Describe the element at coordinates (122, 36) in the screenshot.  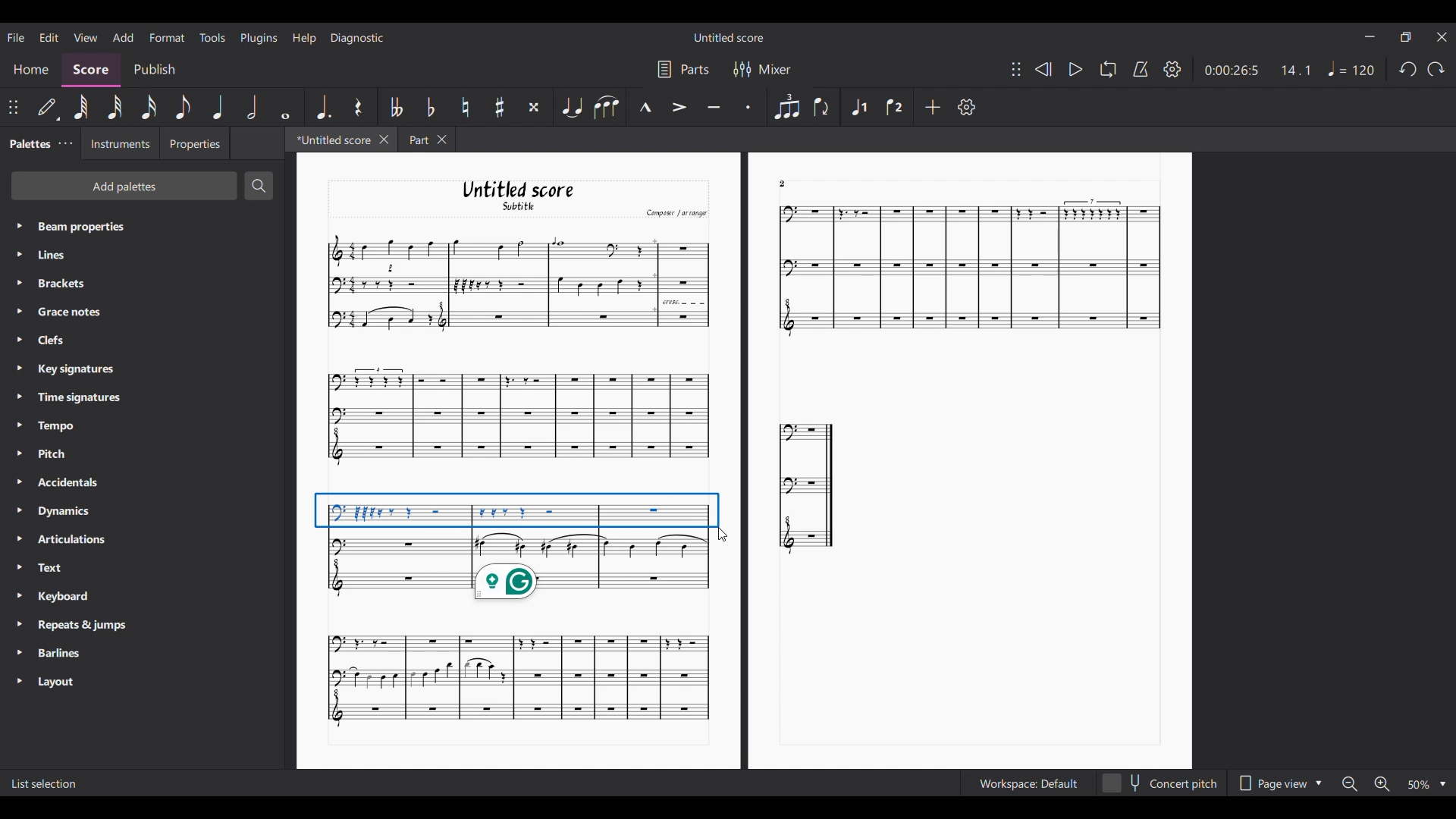
I see `Add menu` at that location.